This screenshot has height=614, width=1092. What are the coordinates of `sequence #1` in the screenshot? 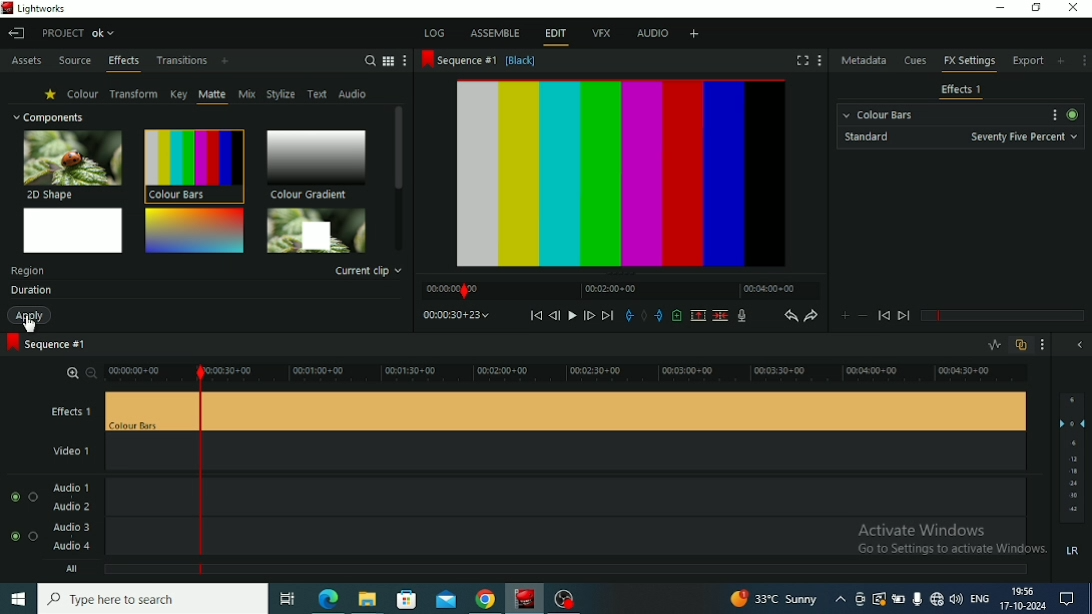 It's located at (459, 61).